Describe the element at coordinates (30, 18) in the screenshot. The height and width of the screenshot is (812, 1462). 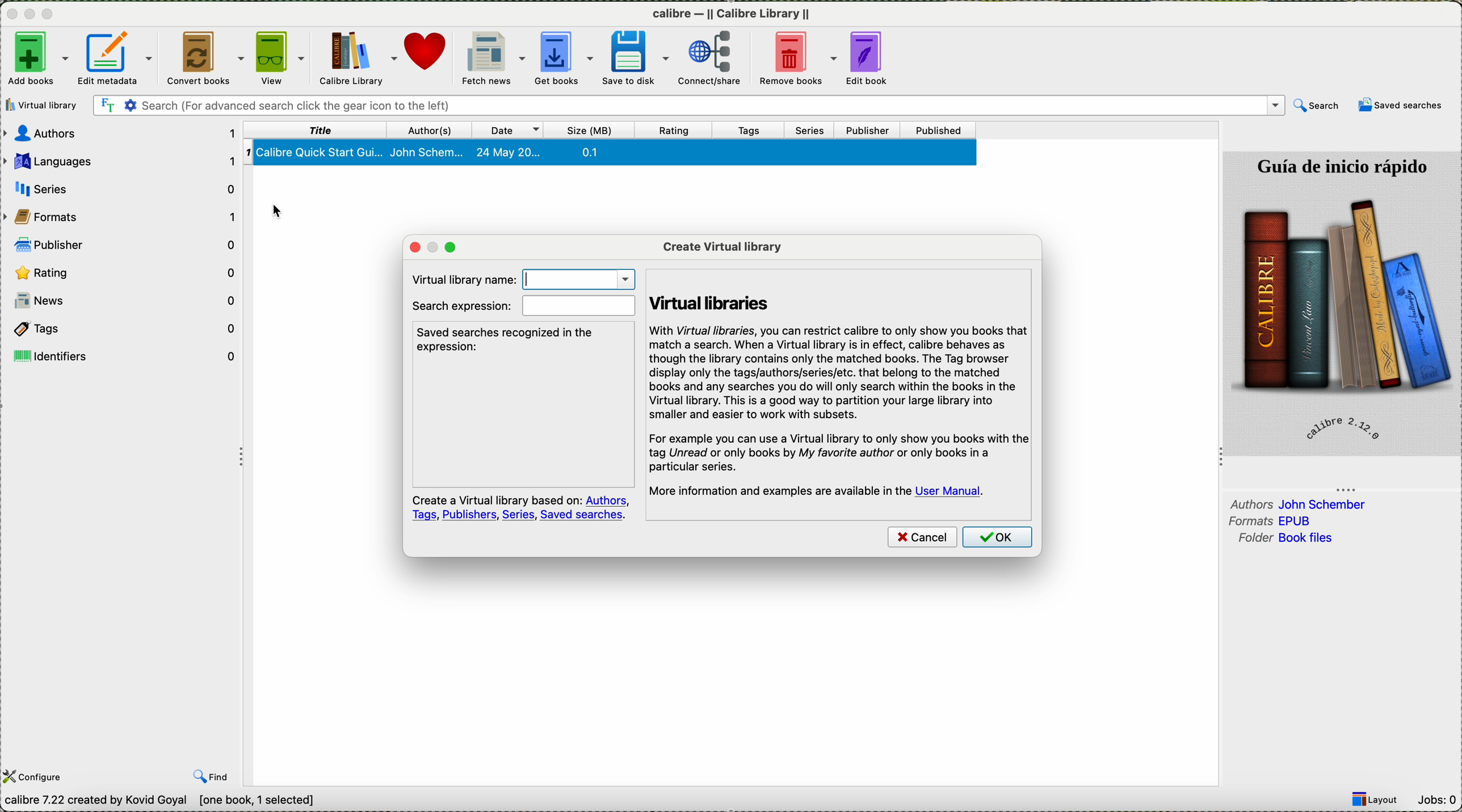
I see `minimize` at that location.